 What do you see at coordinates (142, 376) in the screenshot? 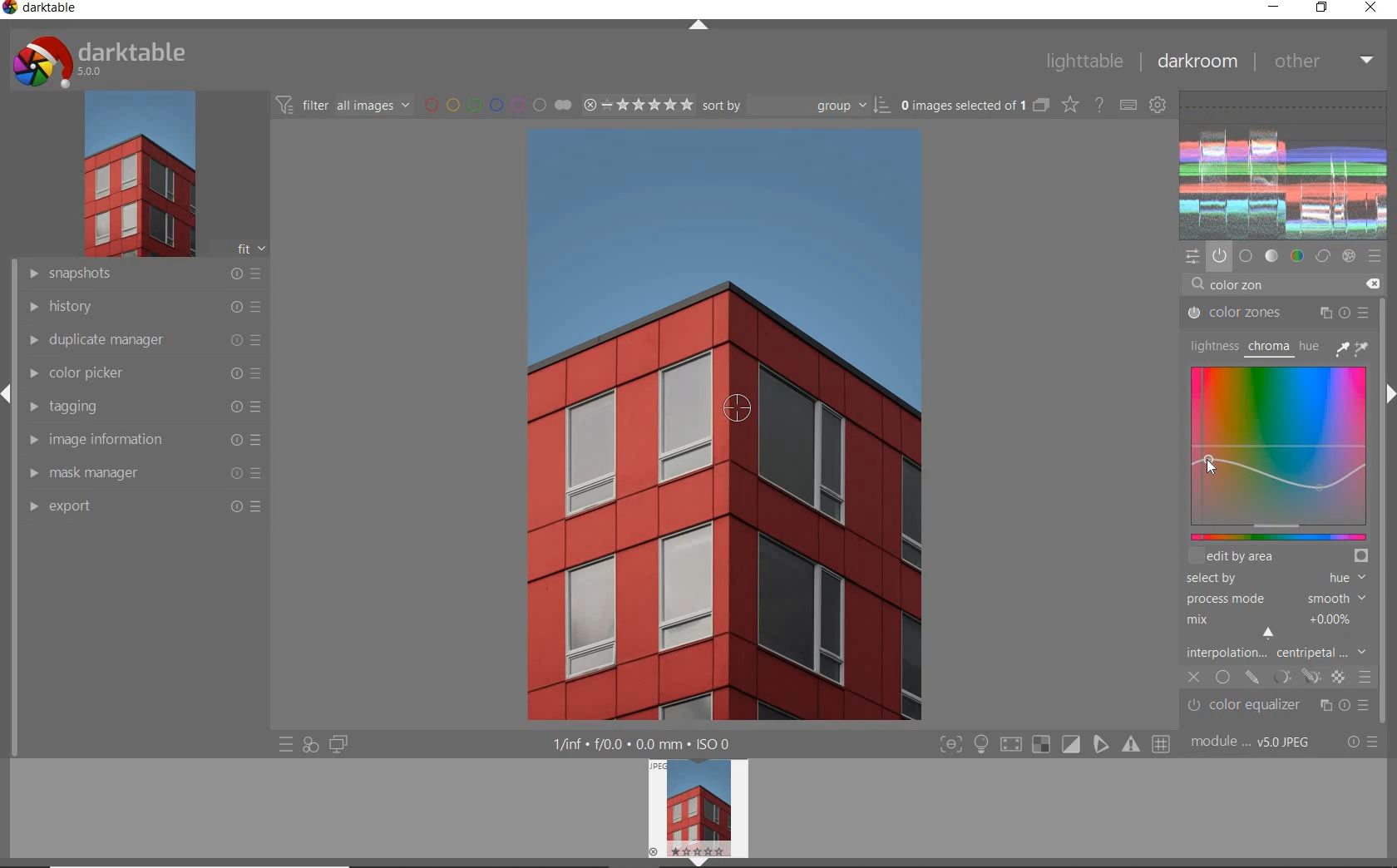
I see `color picker` at bounding box center [142, 376].